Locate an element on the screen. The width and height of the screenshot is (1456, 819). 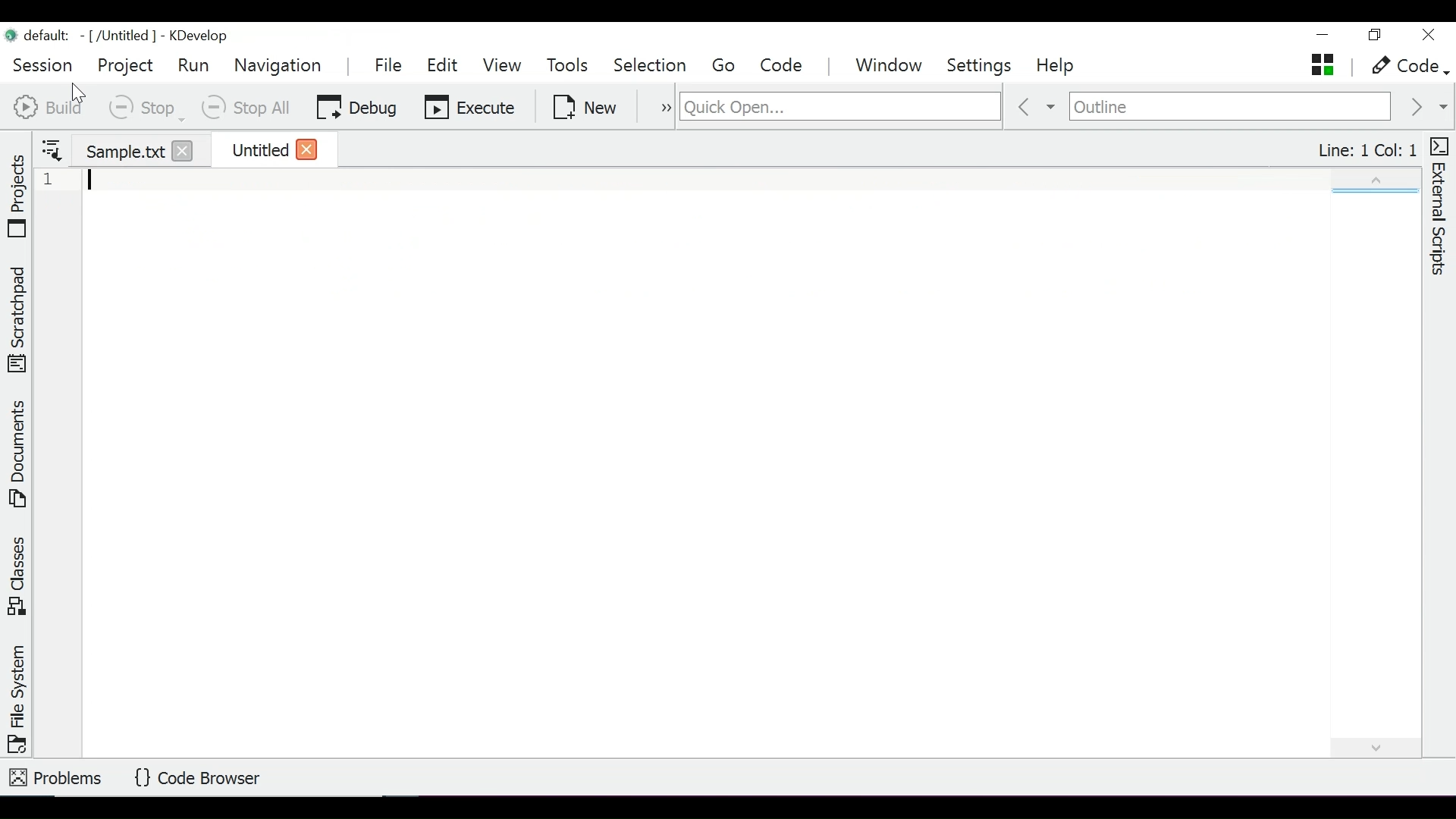
Toggle Classes tool view is located at coordinates (19, 579).